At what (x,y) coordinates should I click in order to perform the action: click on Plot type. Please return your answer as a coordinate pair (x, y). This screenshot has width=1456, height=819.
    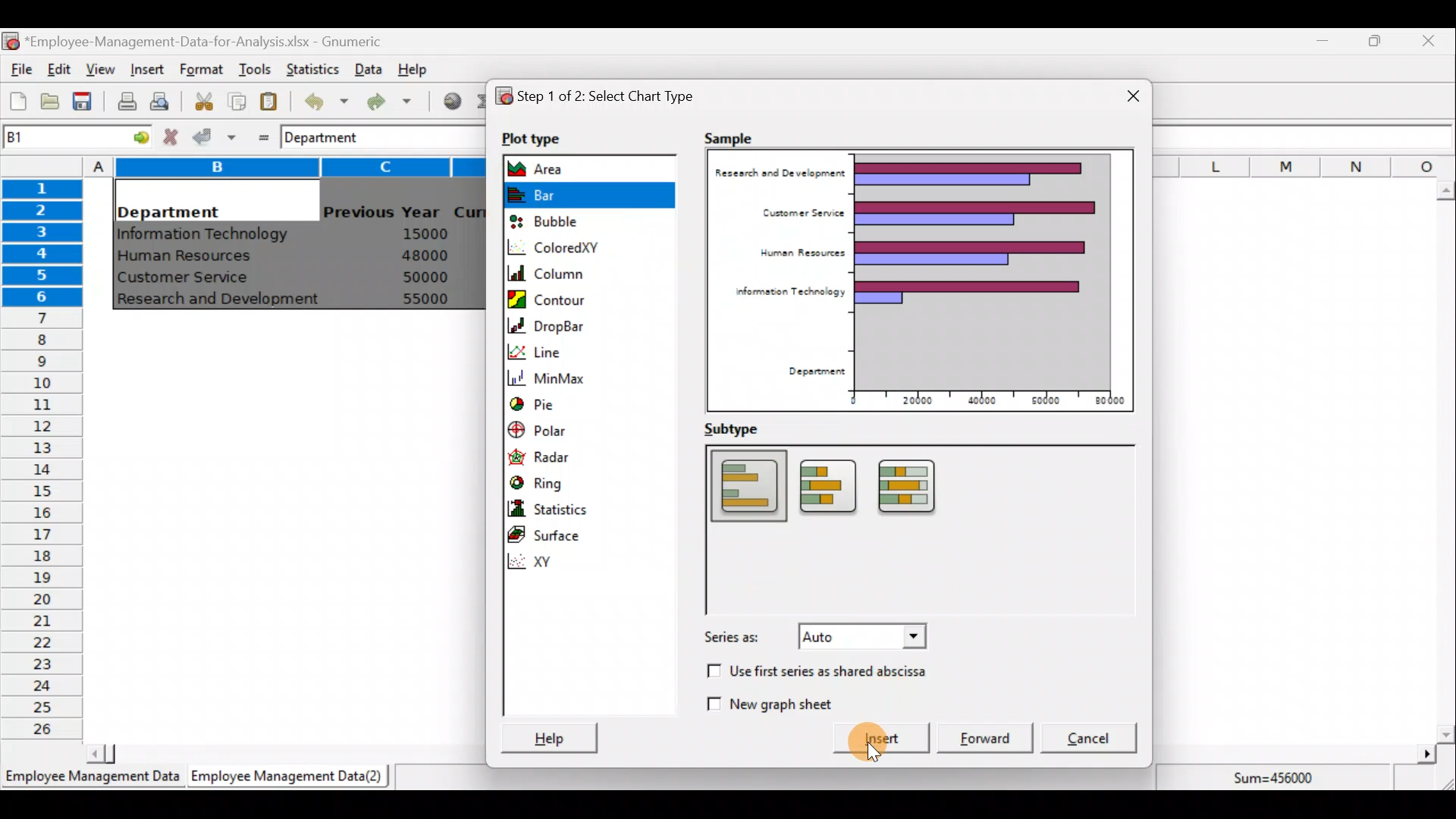
    Looking at the image, I should click on (545, 140).